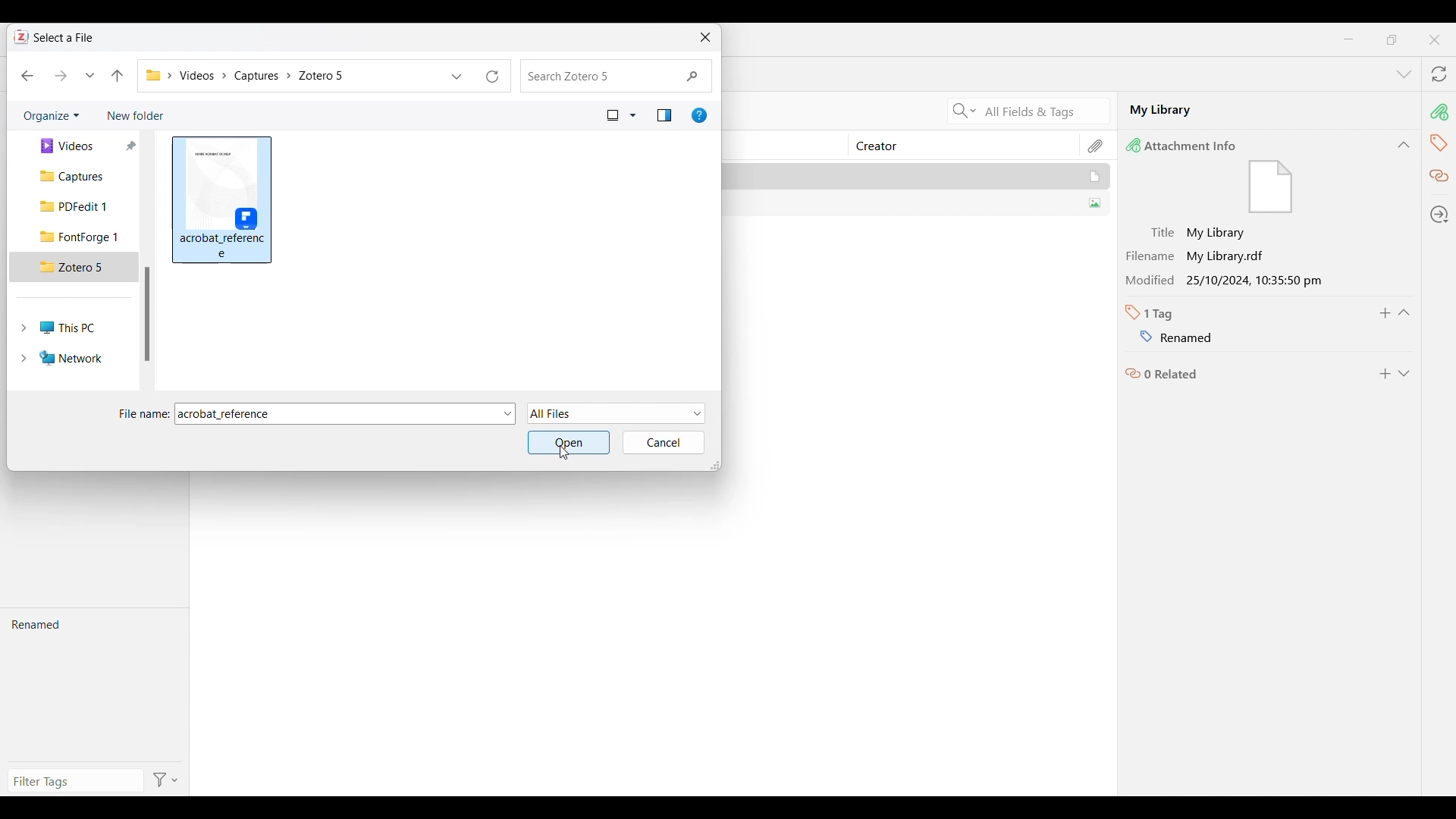 The width and height of the screenshot is (1456, 819). I want to click on Add, so click(1385, 374).